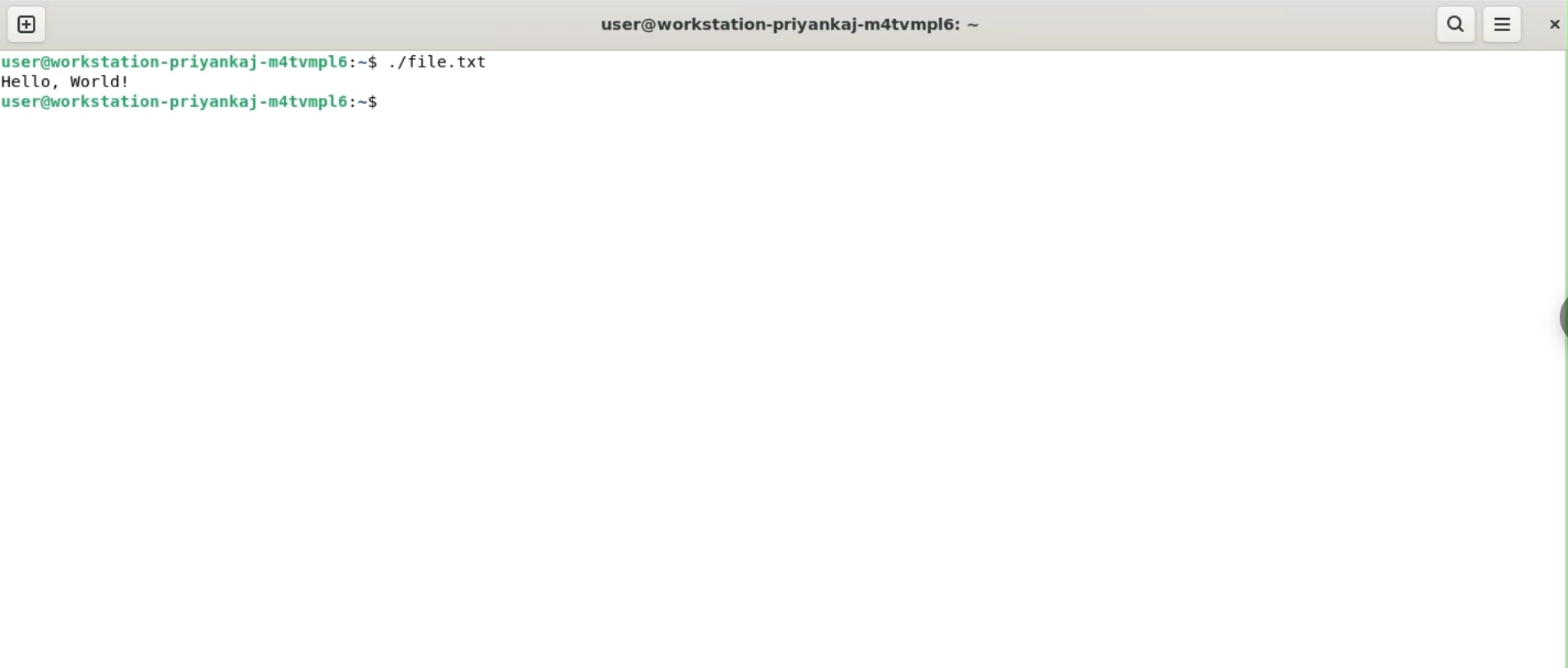 This screenshot has width=1568, height=668. Describe the element at coordinates (790, 23) in the screenshot. I see `user@workstation-priyankaj-m4tvmpl6: ~` at that location.